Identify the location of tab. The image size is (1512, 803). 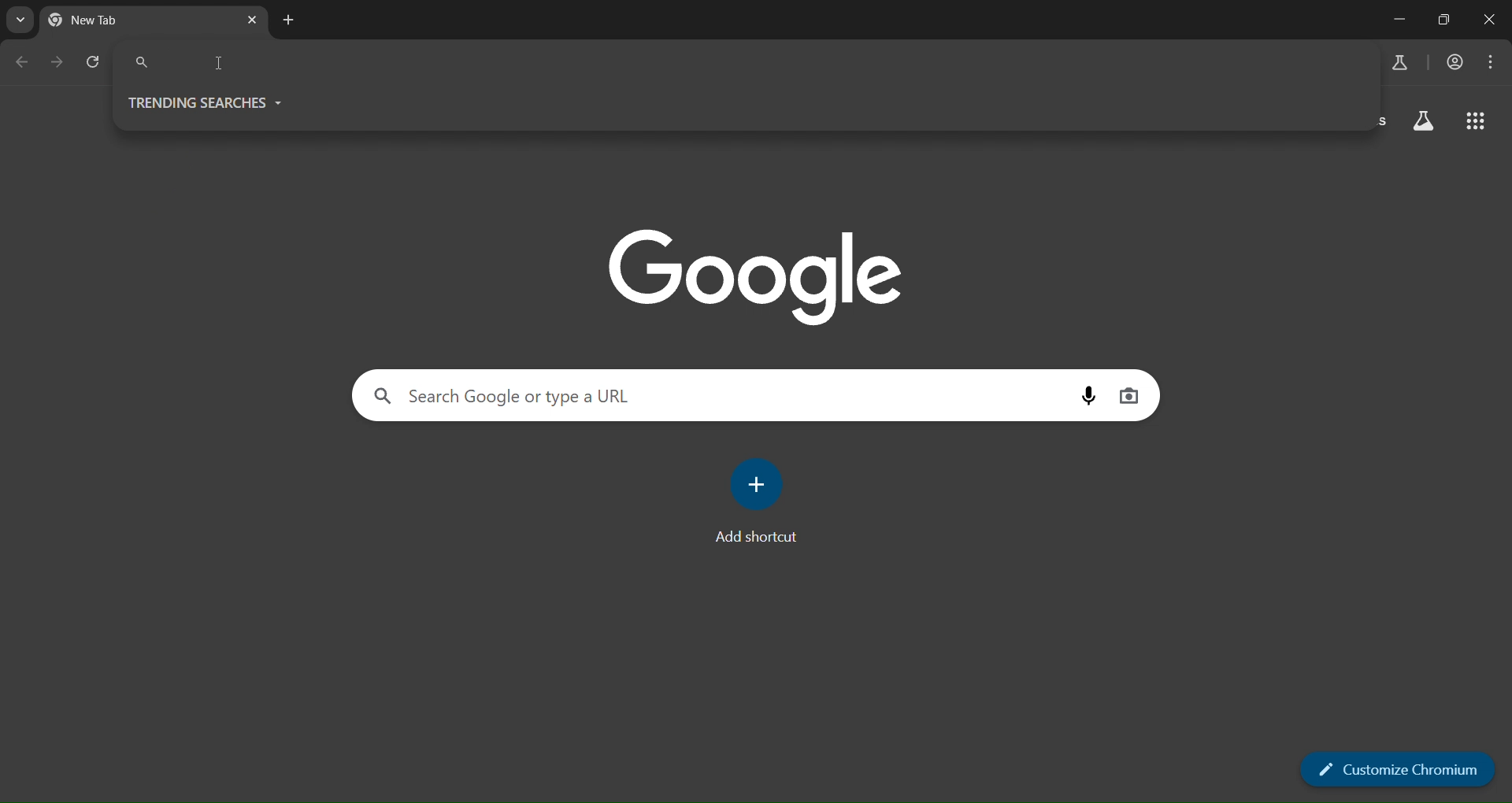
(115, 20).